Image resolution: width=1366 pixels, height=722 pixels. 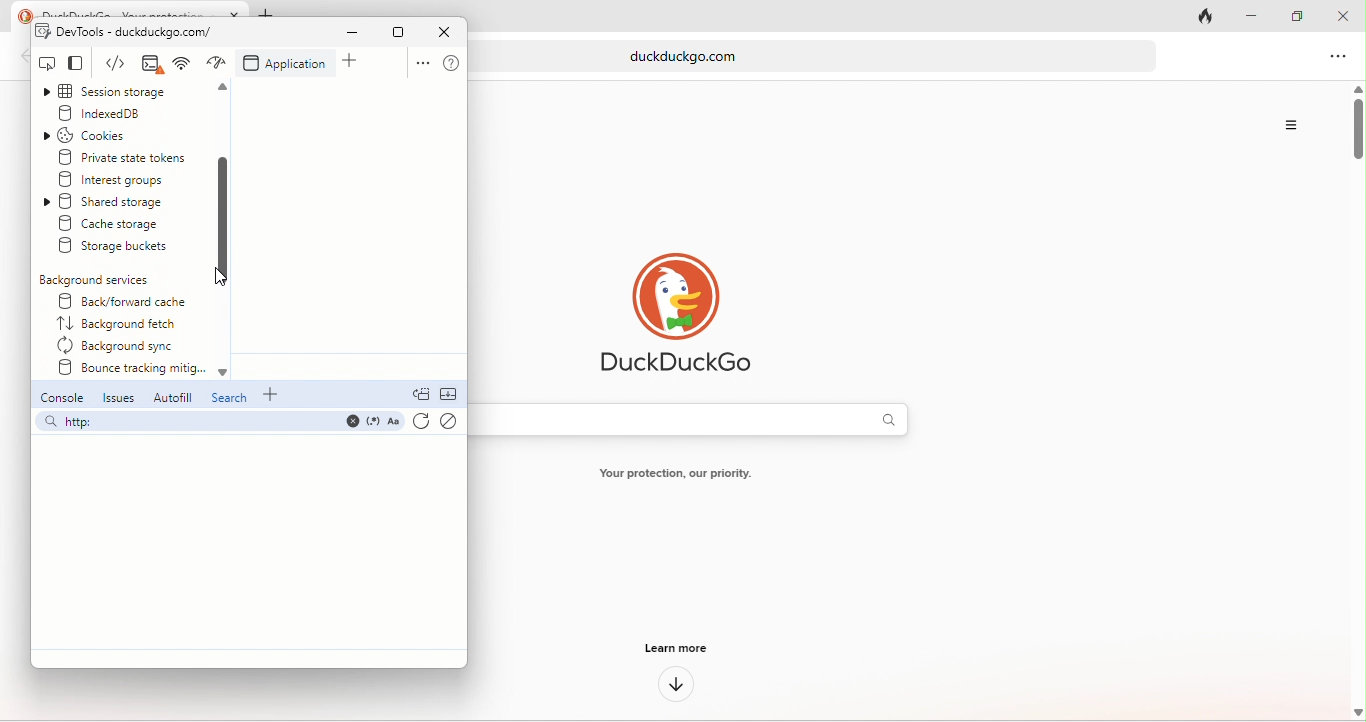 I want to click on indexed, so click(x=122, y=114).